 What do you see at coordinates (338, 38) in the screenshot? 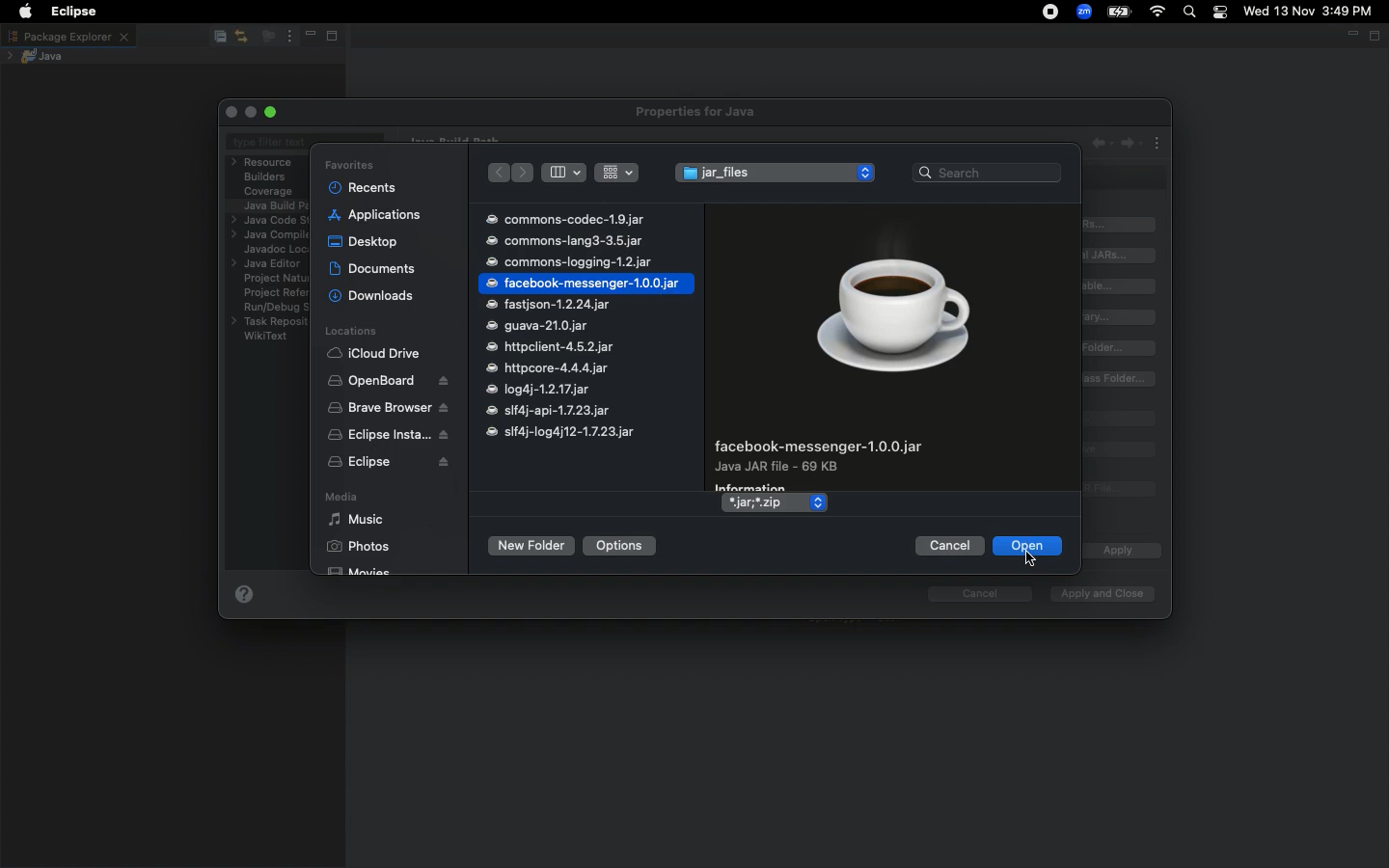
I see `Maximize` at bounding box center [338, 38].